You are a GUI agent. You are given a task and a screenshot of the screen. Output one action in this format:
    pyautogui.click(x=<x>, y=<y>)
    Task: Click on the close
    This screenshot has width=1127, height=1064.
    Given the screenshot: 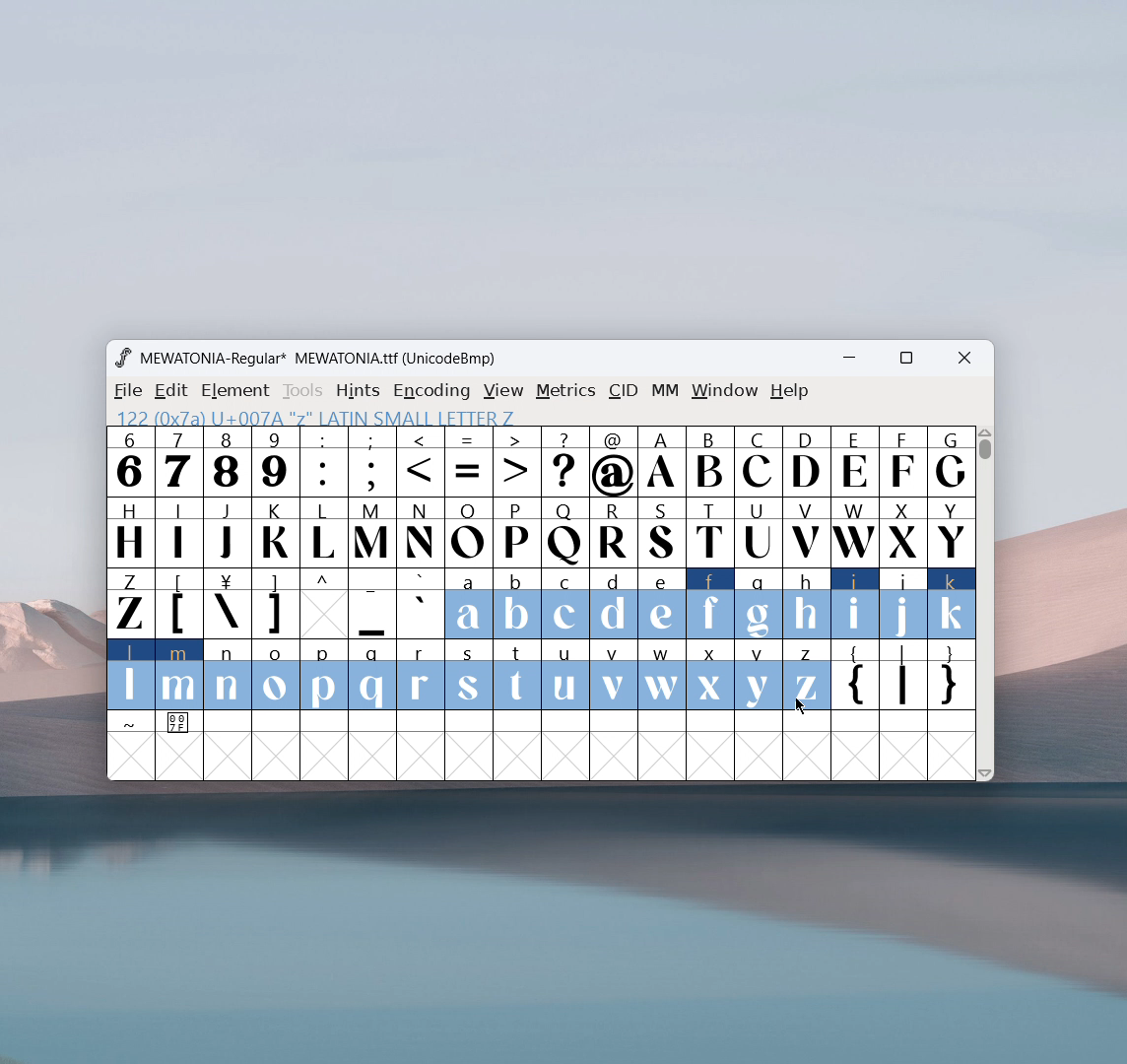 What is the action you would take?
    pyautogui.click(x=964, y=359)
    